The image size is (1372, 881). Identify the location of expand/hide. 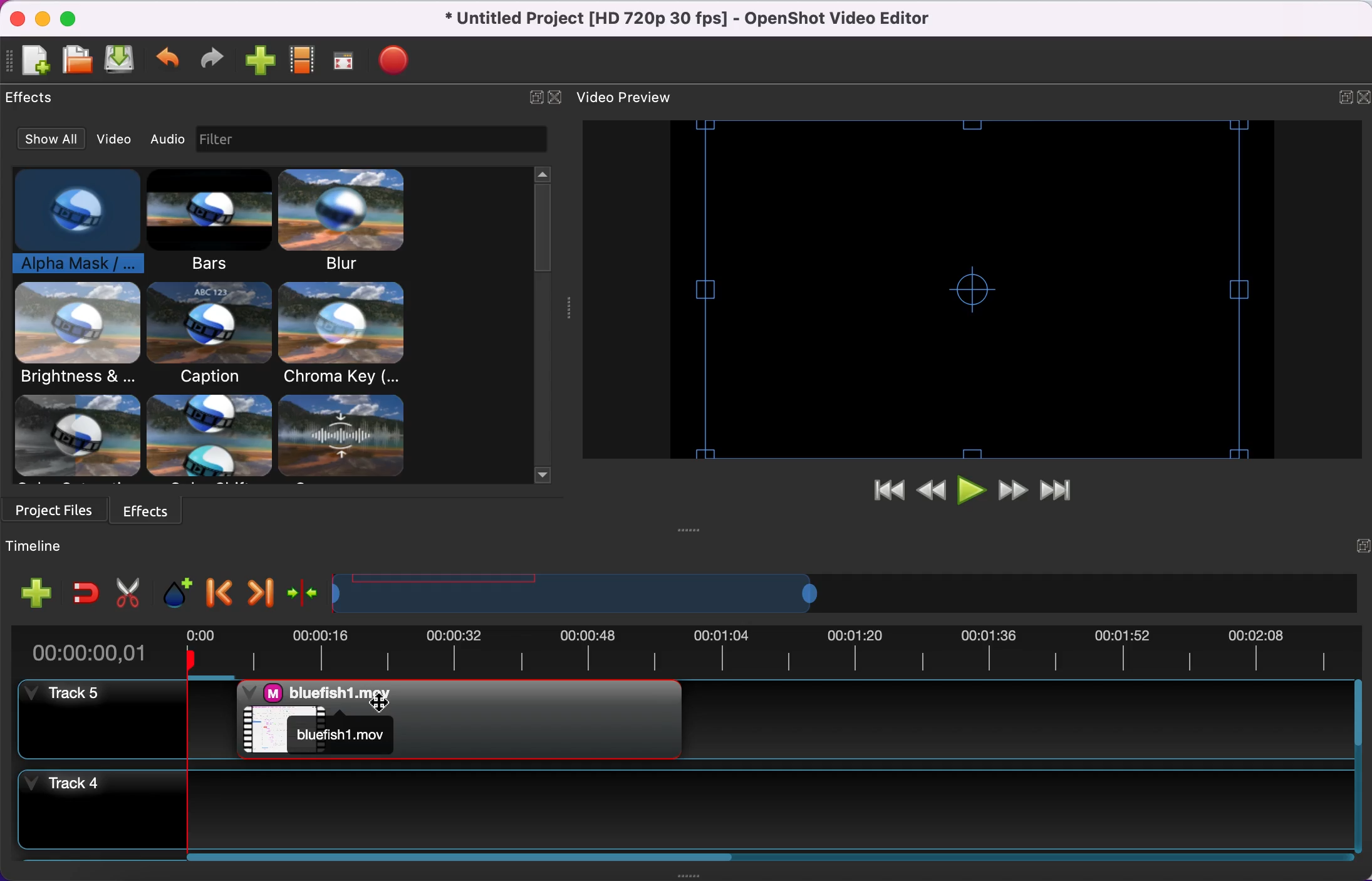
(536, 102).